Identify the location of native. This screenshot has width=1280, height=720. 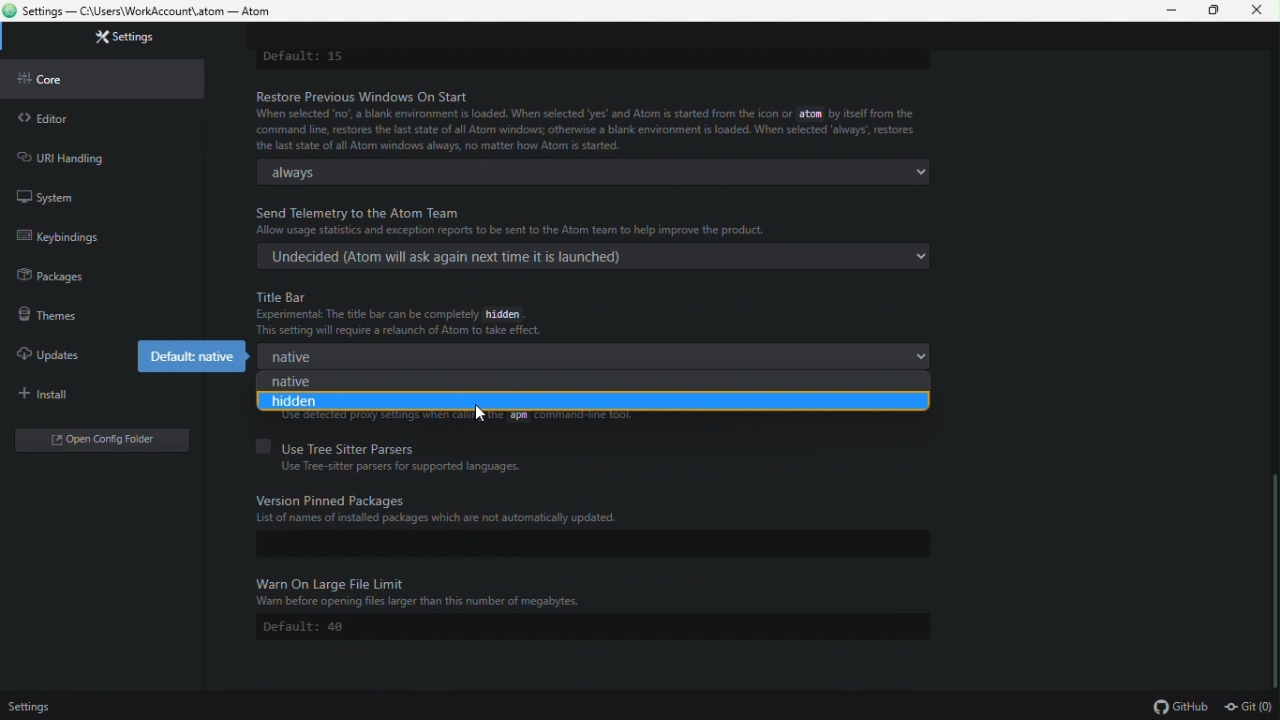
(581, 381).